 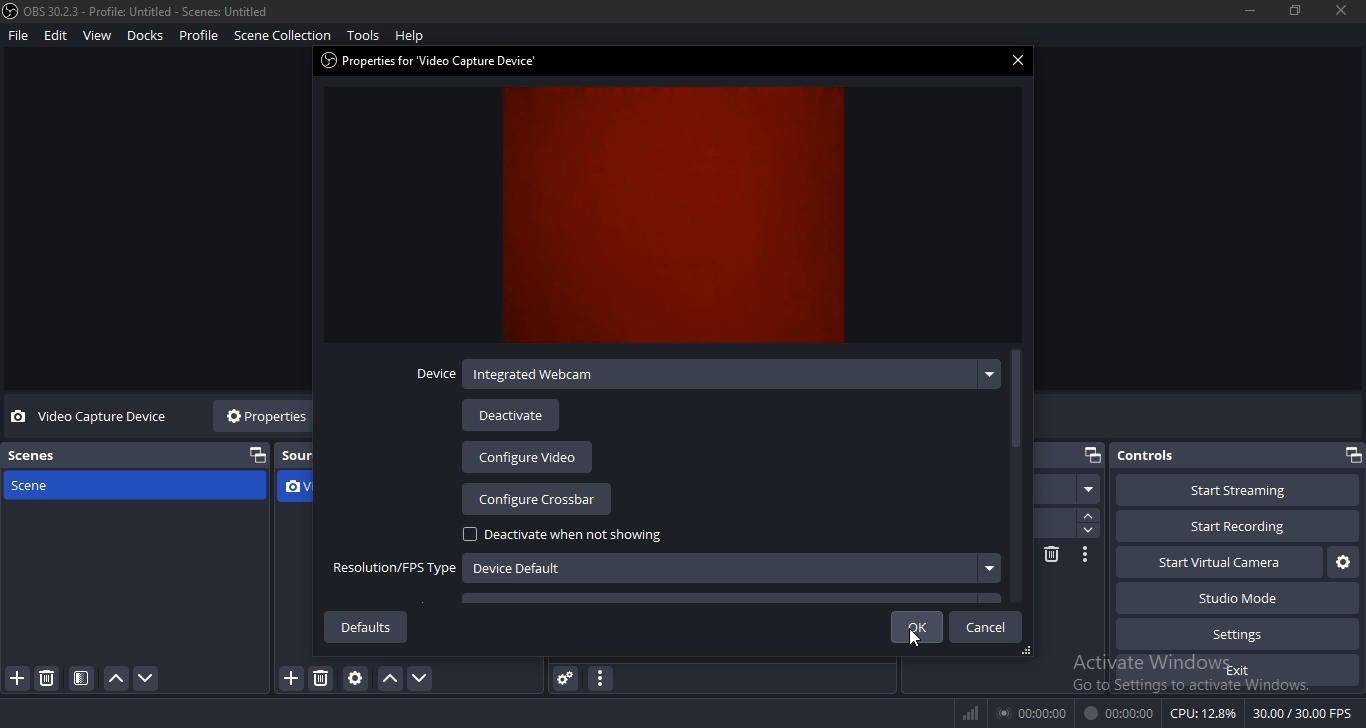 I want to click on configure video, so click(x=527, y=457).